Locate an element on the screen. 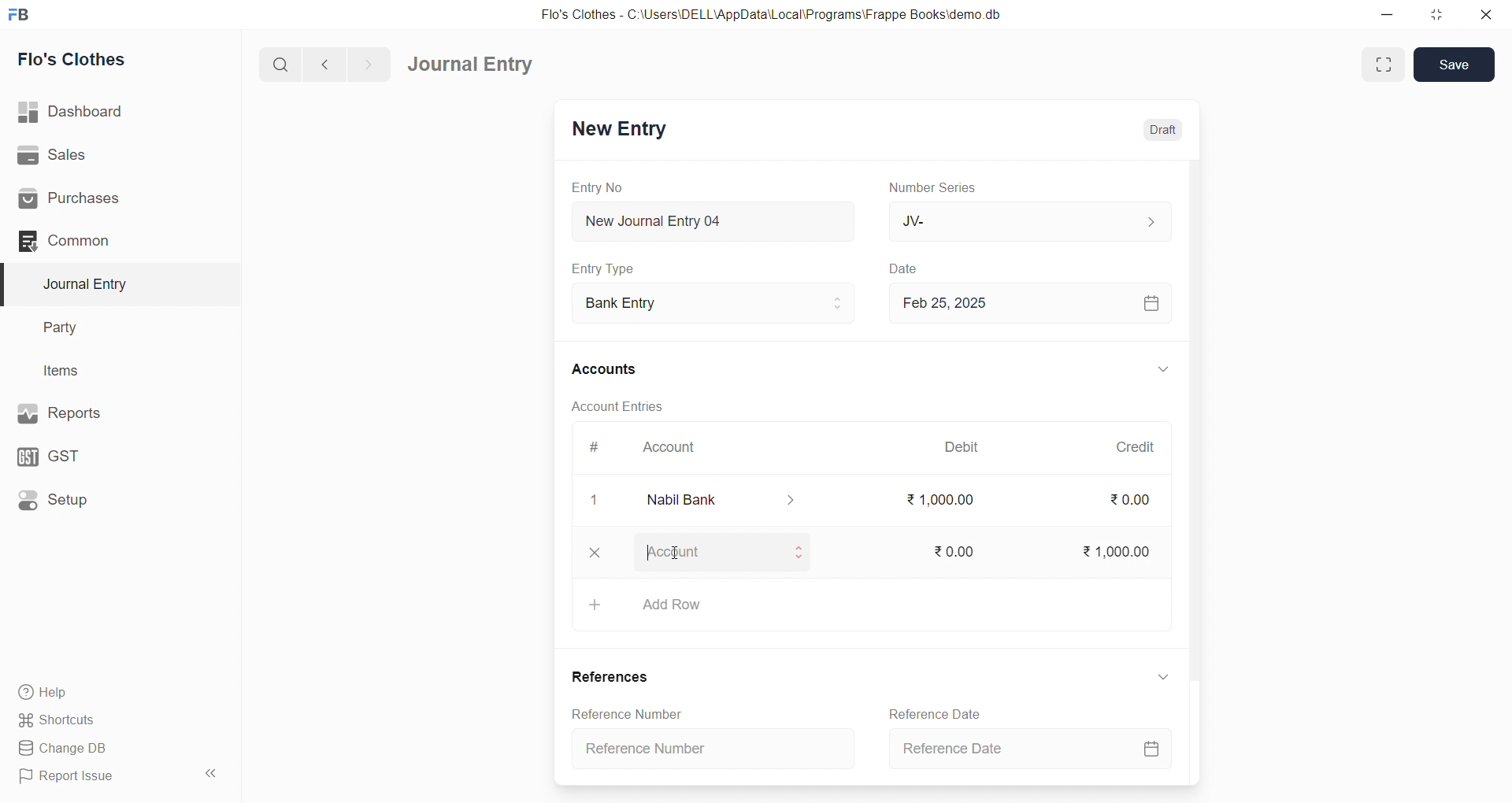 This screenshot has height=803, width=1512. Purchases is located at coordinates (113, 199).